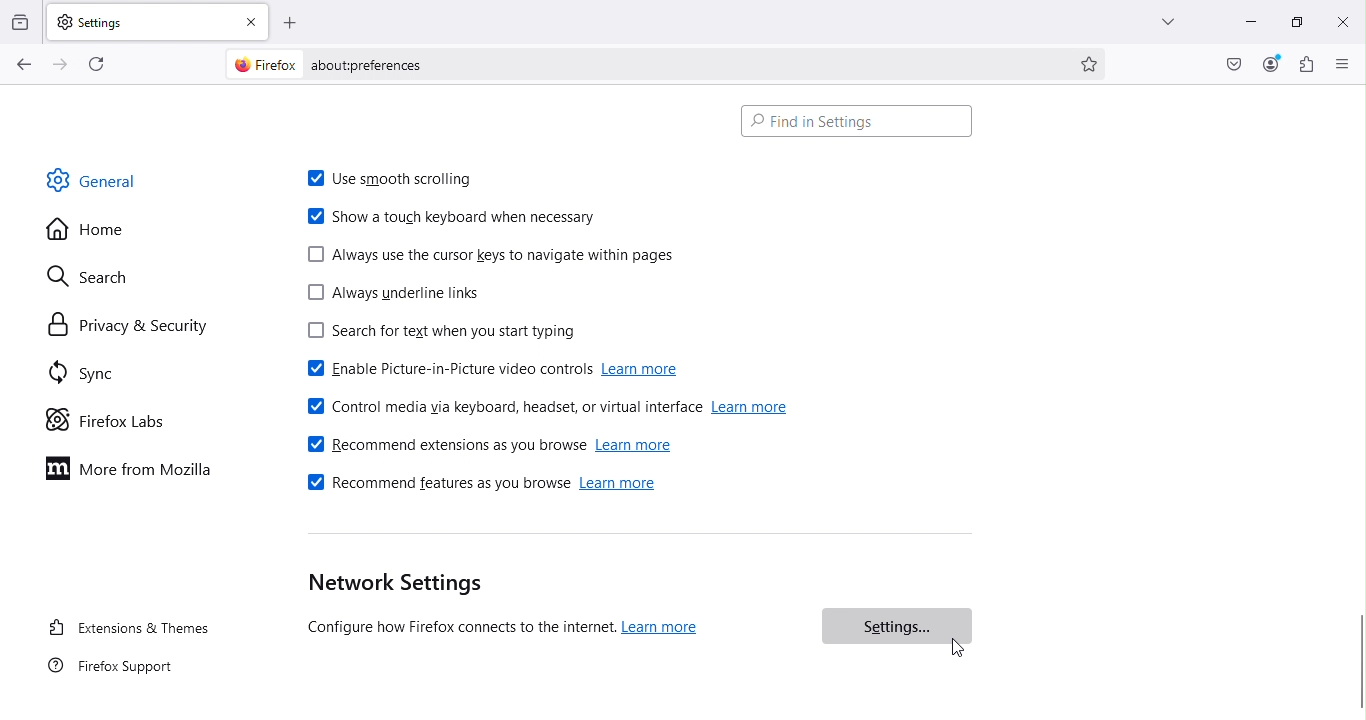  Describe the element at coordinates (252, 19) in the screenshot. I see `close` at that location.